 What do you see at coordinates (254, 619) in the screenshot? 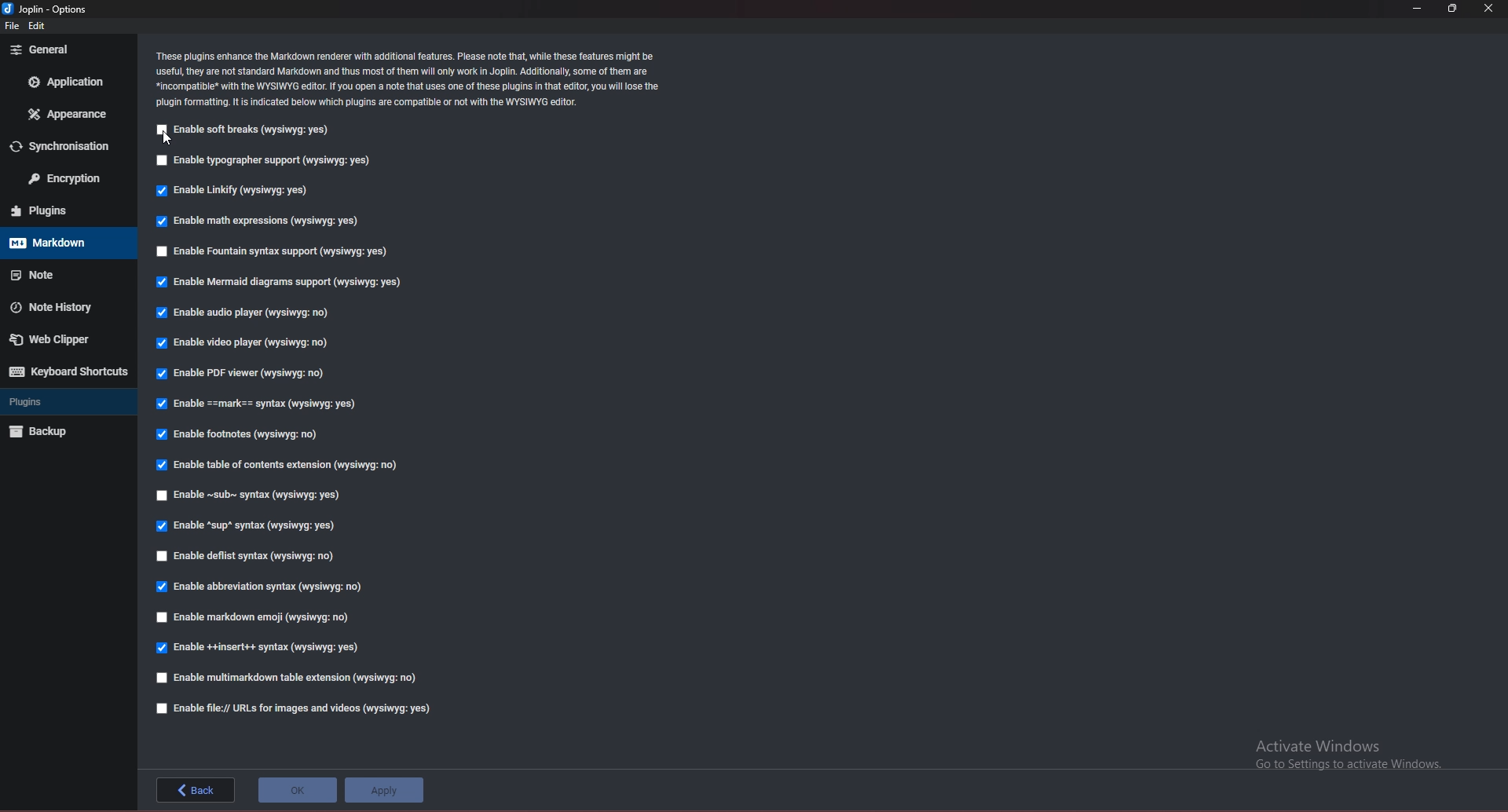
I see `enable markdown emoji` at bounding box center [254, 619].